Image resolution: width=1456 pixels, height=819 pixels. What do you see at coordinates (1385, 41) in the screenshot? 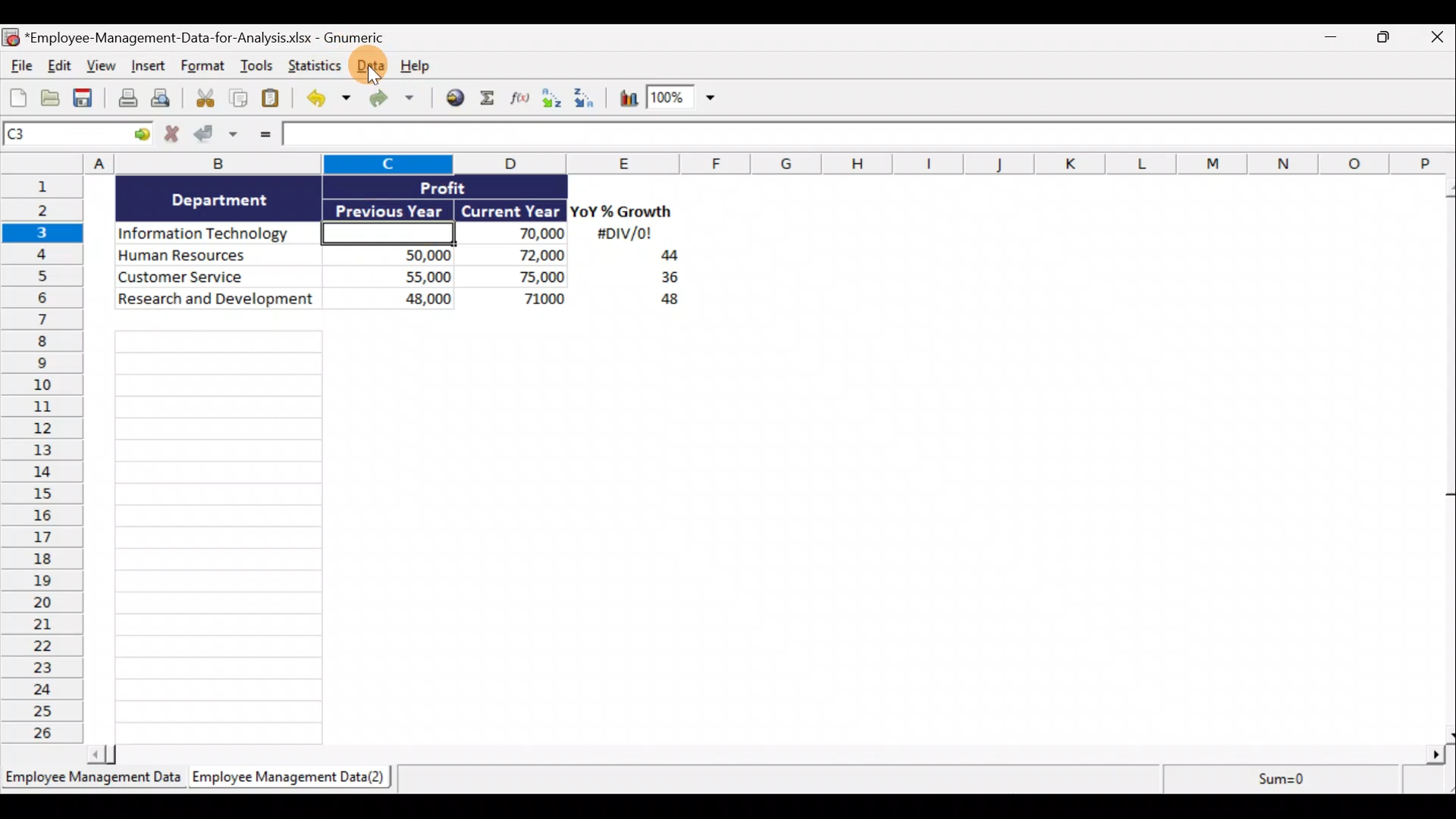
I see `Restore down` at bounding box center [1385, 41].